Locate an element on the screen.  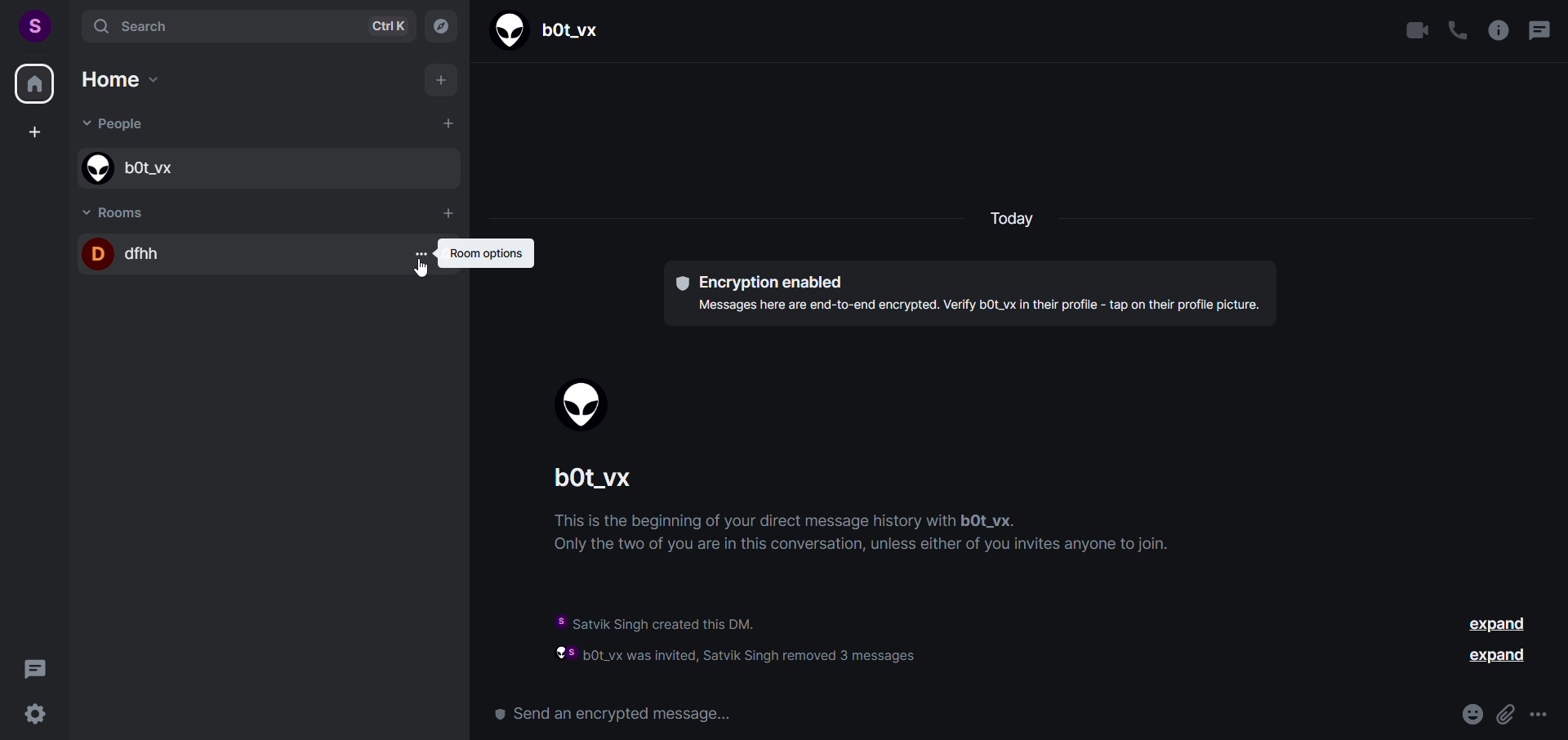
search is located at coordinates (241, 25).